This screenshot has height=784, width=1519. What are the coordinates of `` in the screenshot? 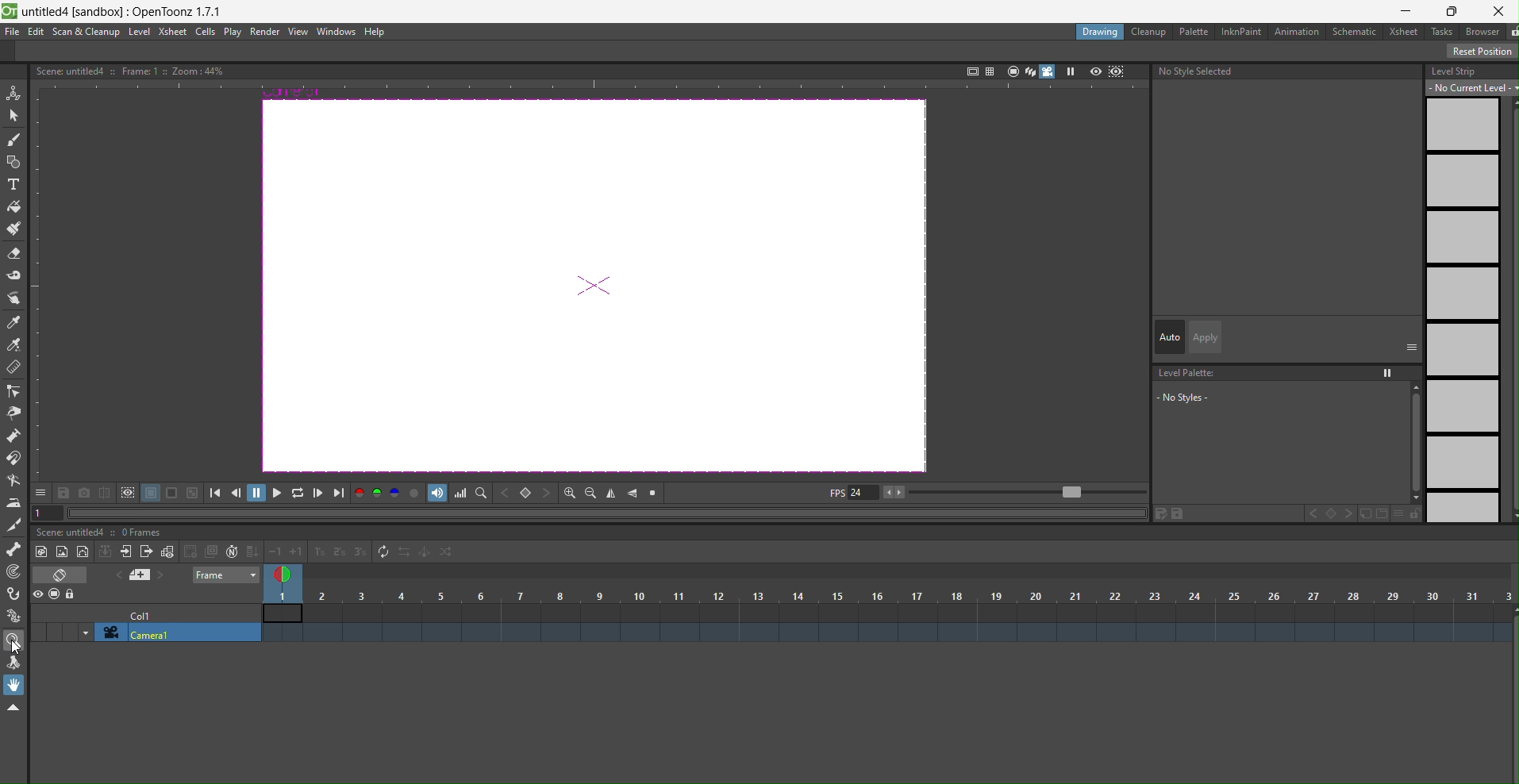 It's located at (13, 94).